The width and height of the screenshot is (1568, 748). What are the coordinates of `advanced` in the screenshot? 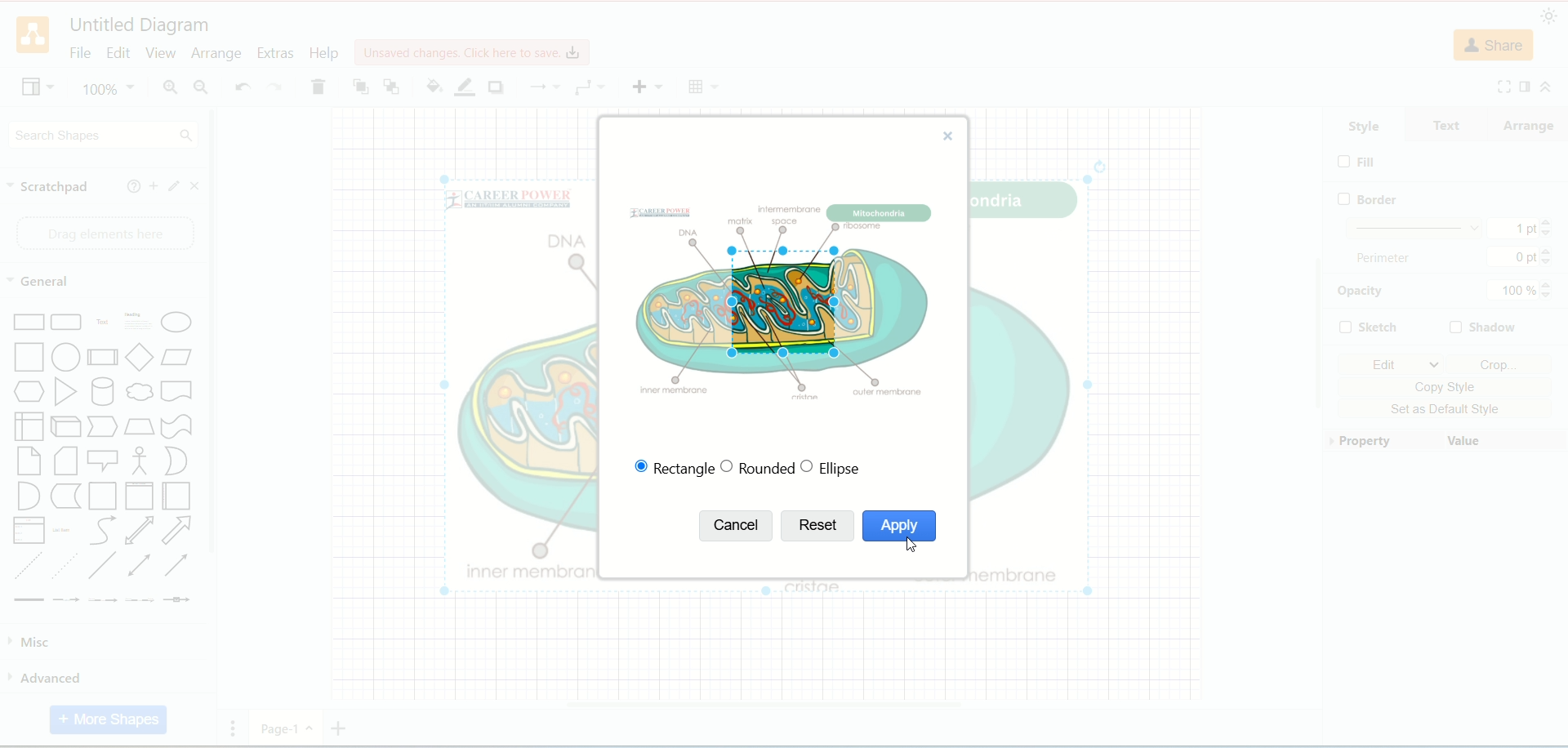 It's located at (47, 677).